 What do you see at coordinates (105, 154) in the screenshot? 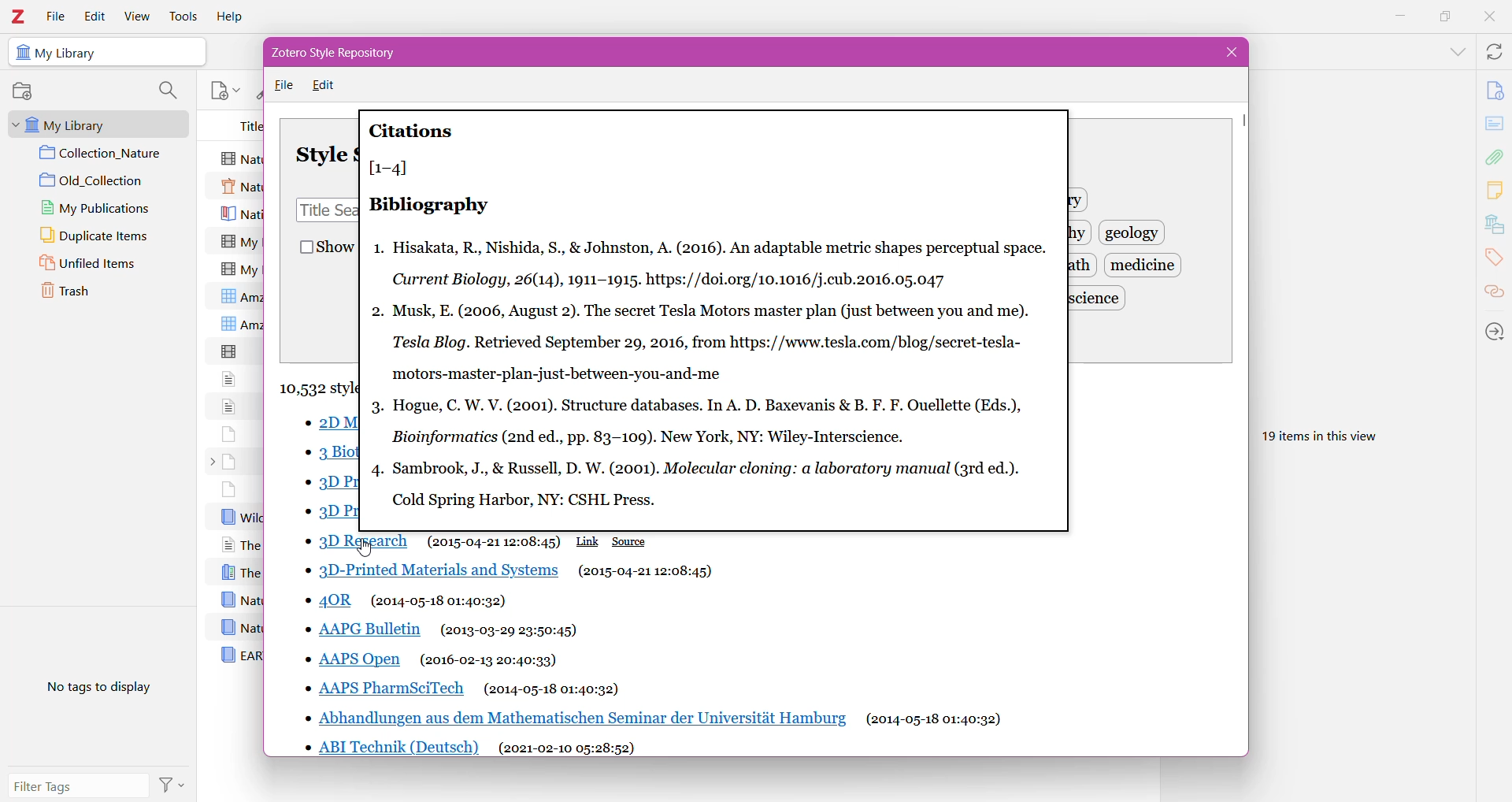
I see `Collection 1` at bounding box center [105, 154].